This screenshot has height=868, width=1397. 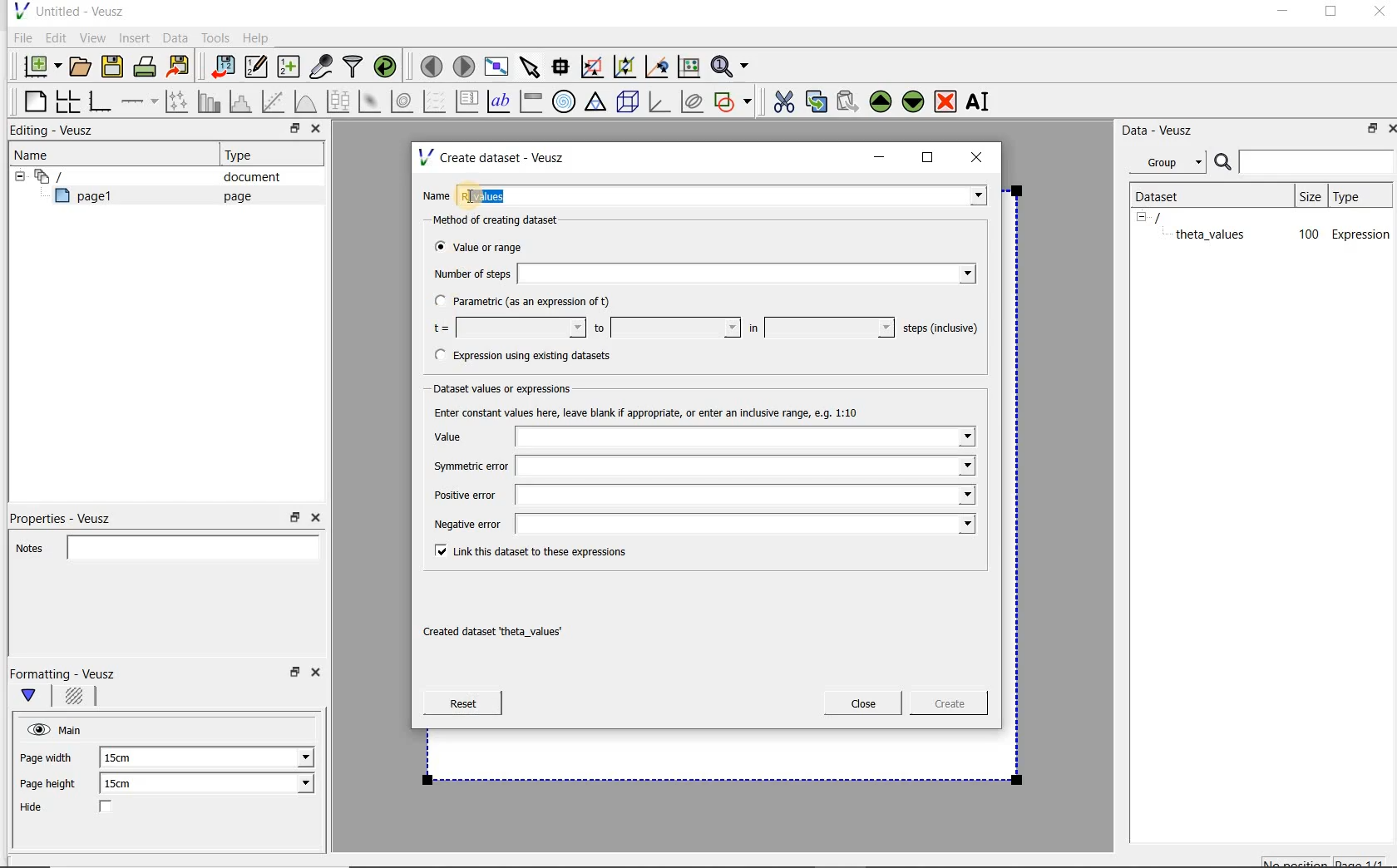 I want to click on move to the previous page, so click(x=432, y=64).